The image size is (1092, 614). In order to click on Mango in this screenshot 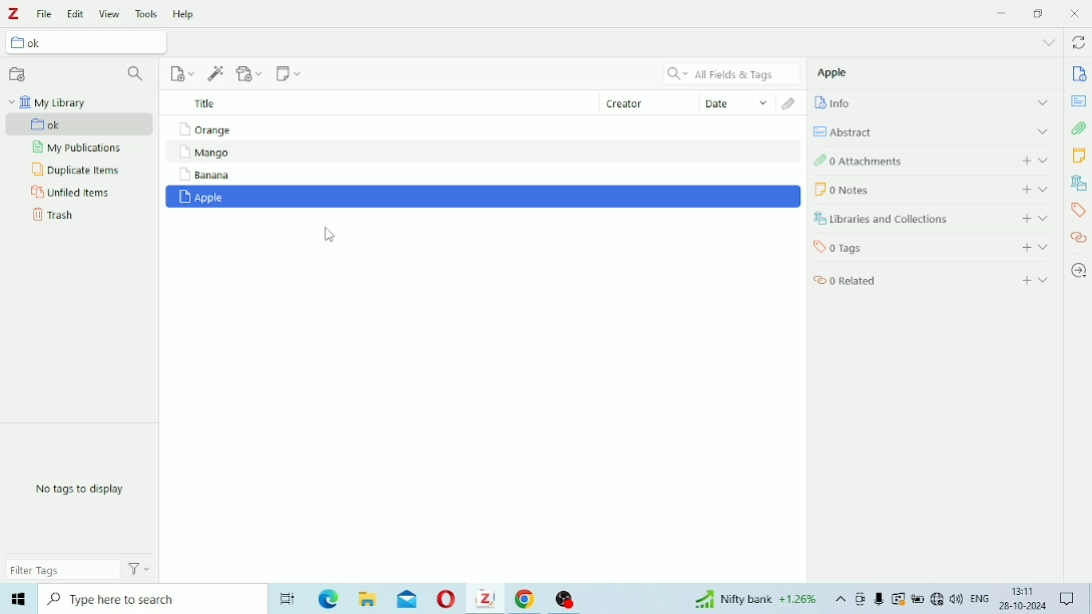, I will do `click(484, 153)`.